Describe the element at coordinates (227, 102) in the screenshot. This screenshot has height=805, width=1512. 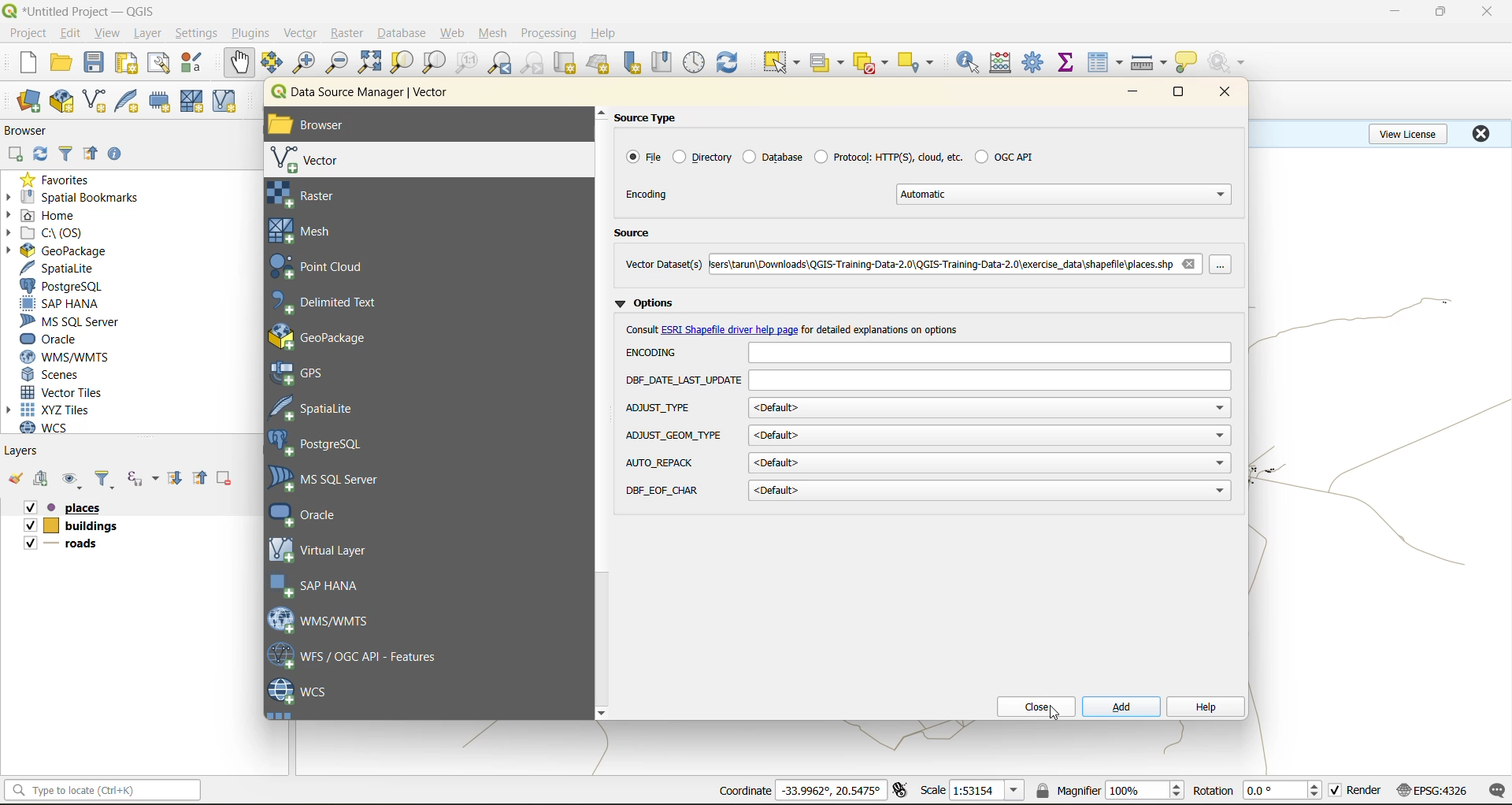
I see `new virtual layer` at that location.